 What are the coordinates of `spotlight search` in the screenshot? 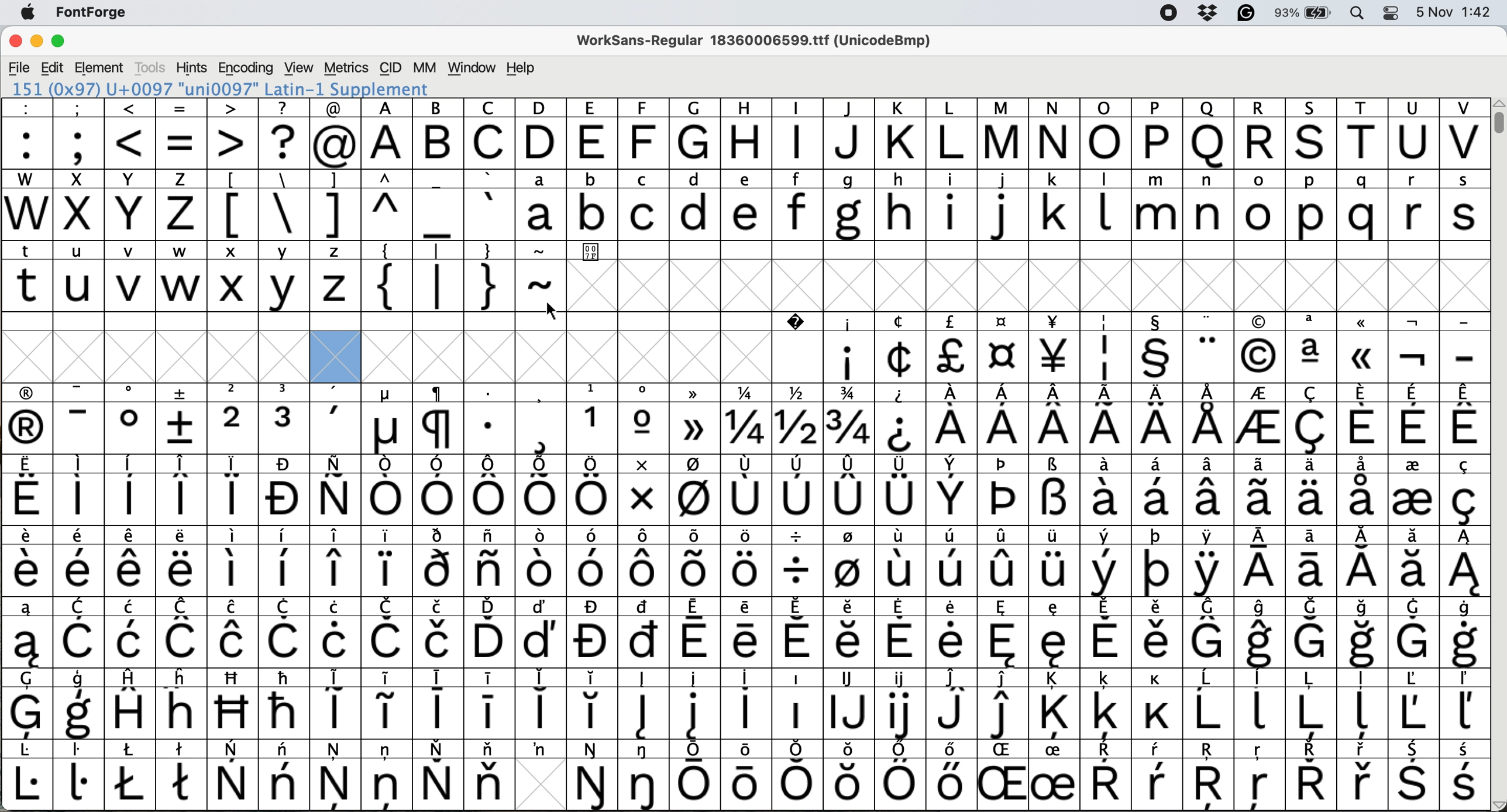 It's located at (1361, 12).